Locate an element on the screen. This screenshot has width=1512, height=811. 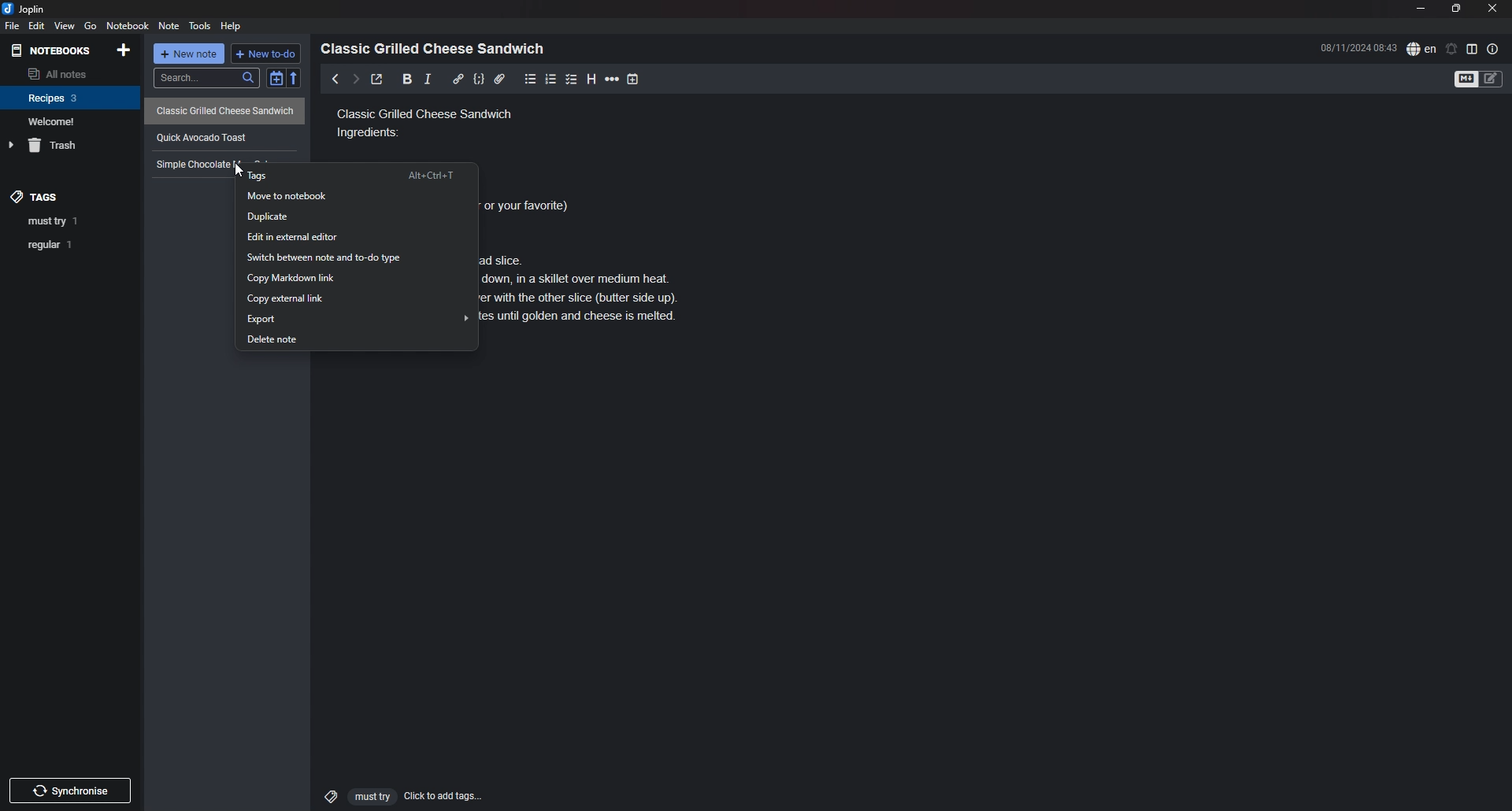
close is located at coordinates (1494, 8).